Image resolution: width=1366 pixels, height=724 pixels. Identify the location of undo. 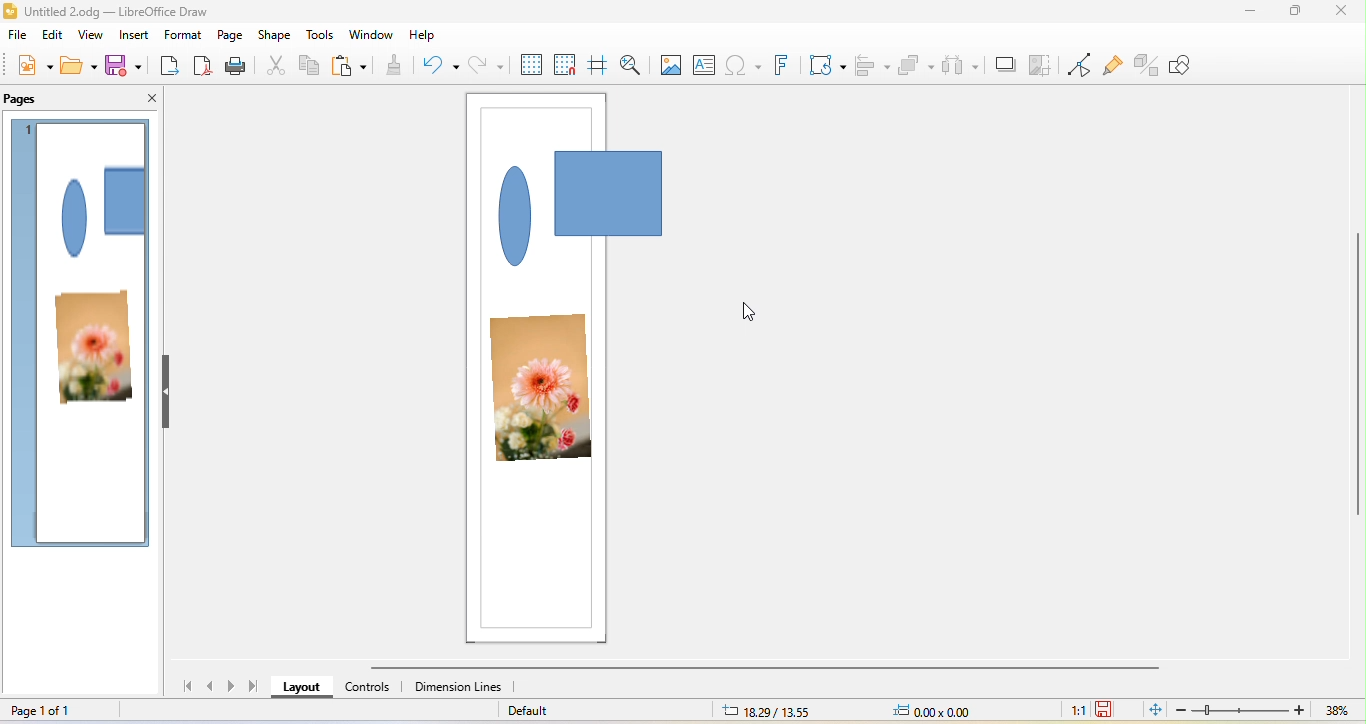
(443, 67).